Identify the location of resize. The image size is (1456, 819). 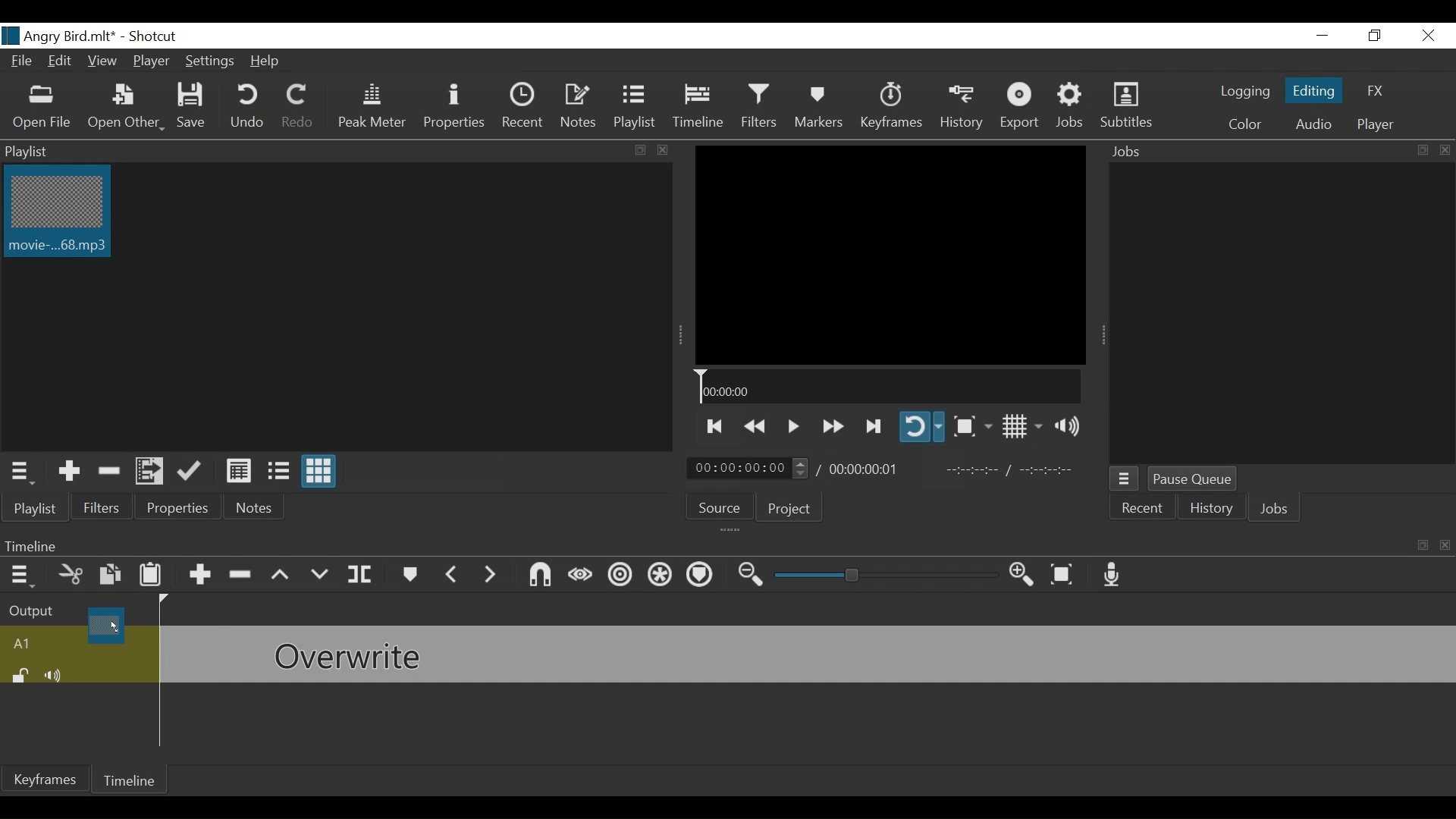
(1421, 150).